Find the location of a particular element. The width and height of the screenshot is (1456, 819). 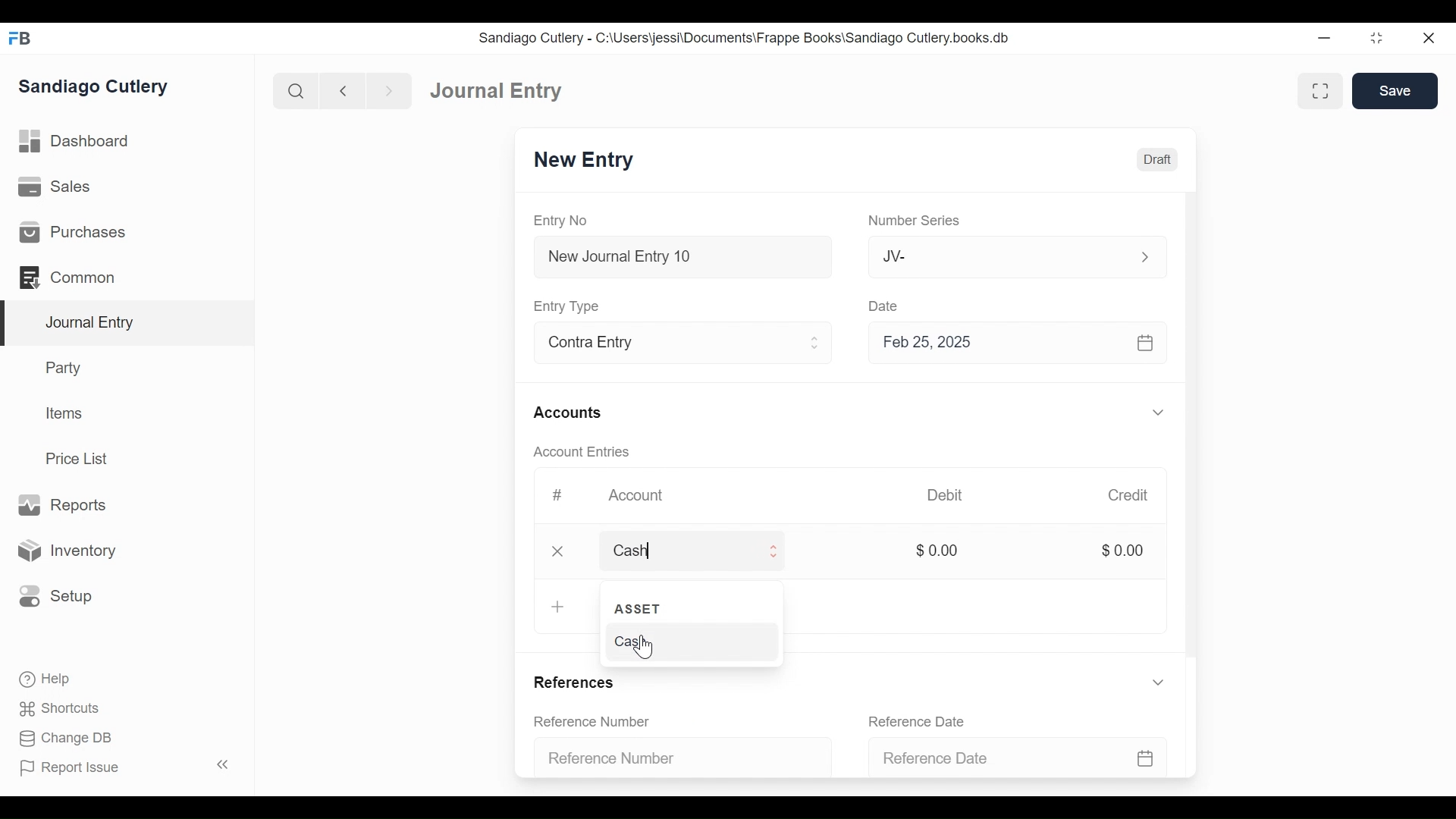

Items is located at coordinates (66, 415).